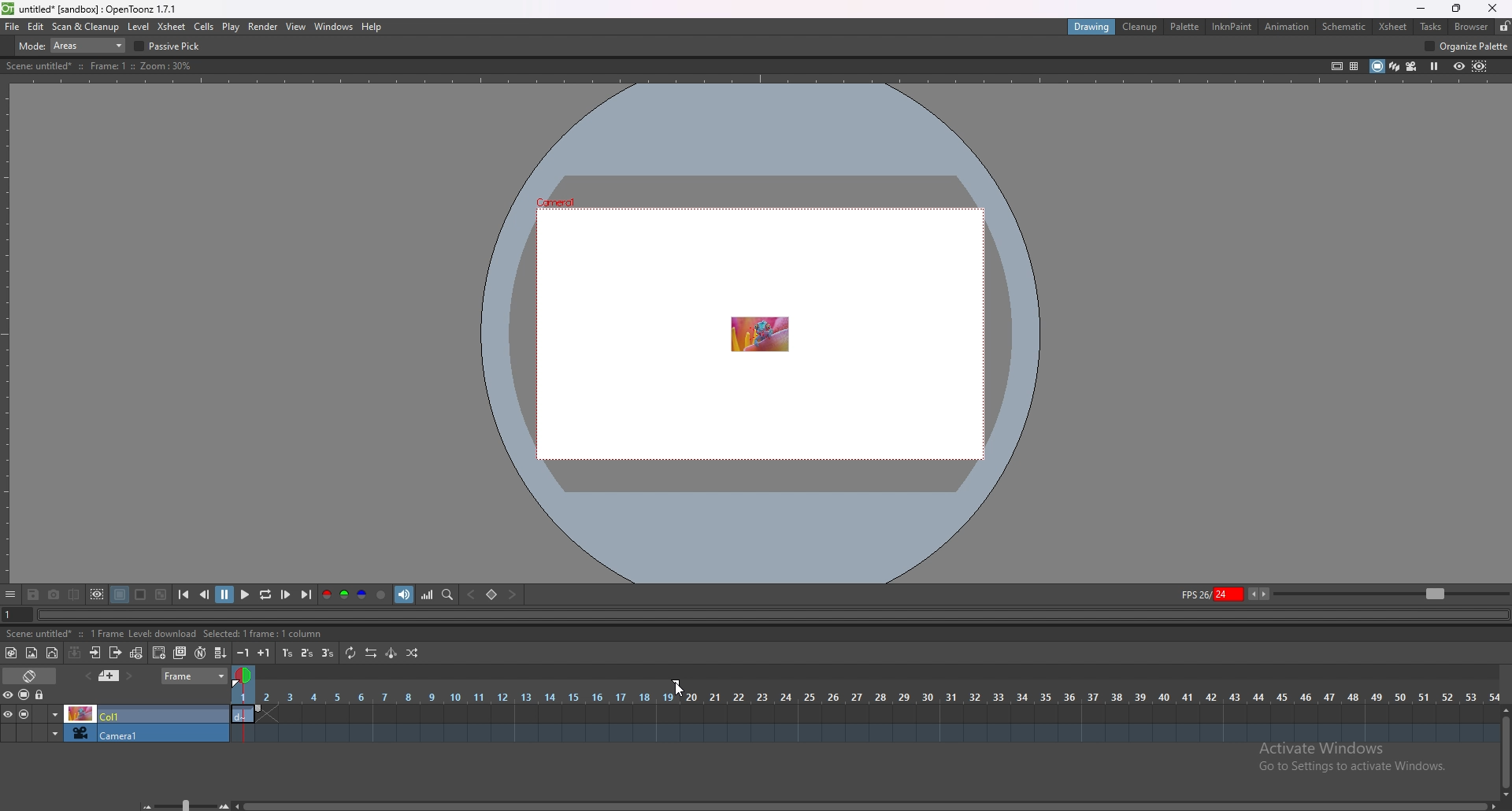 This screenshot has width=1512, height=811. What do you see at coordinates (1376, 66) in the screenshot?
I see `camera stand view` at bounding box center [1376, 66].